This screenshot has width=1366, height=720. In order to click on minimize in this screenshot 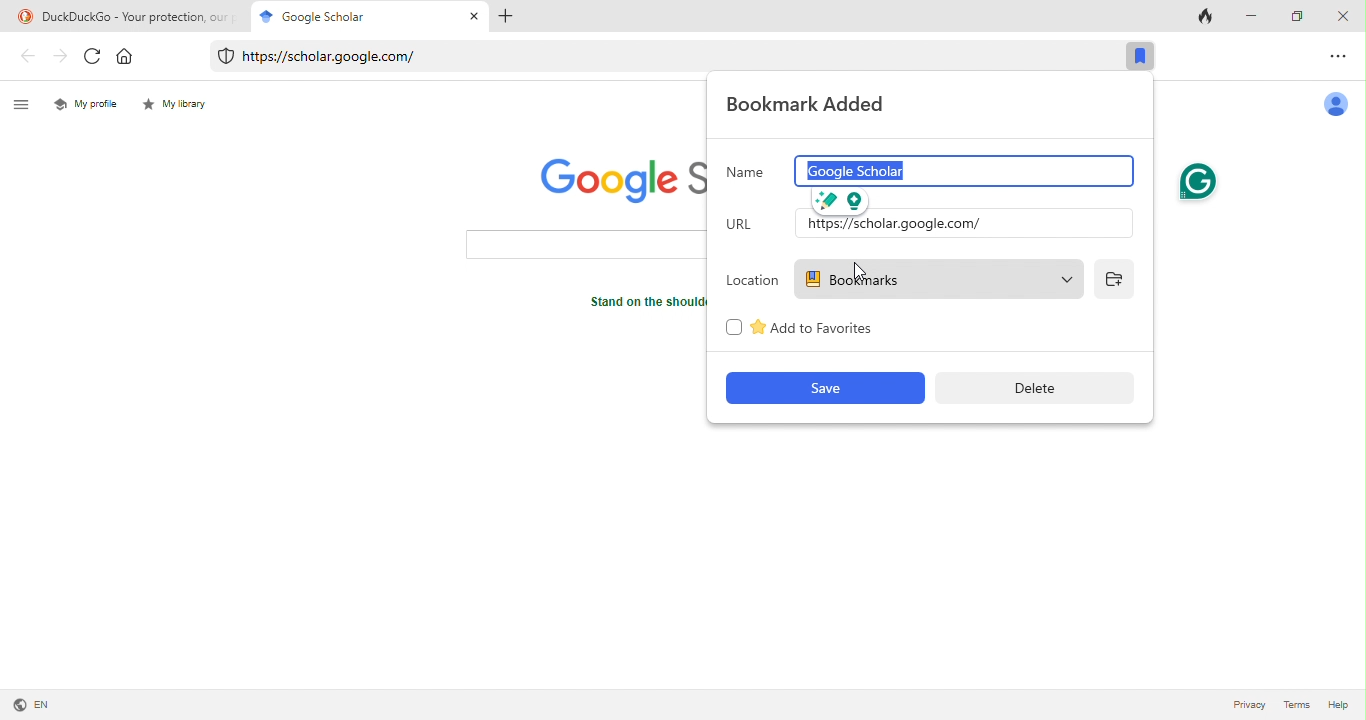, I will do `click(1253, 15)`.